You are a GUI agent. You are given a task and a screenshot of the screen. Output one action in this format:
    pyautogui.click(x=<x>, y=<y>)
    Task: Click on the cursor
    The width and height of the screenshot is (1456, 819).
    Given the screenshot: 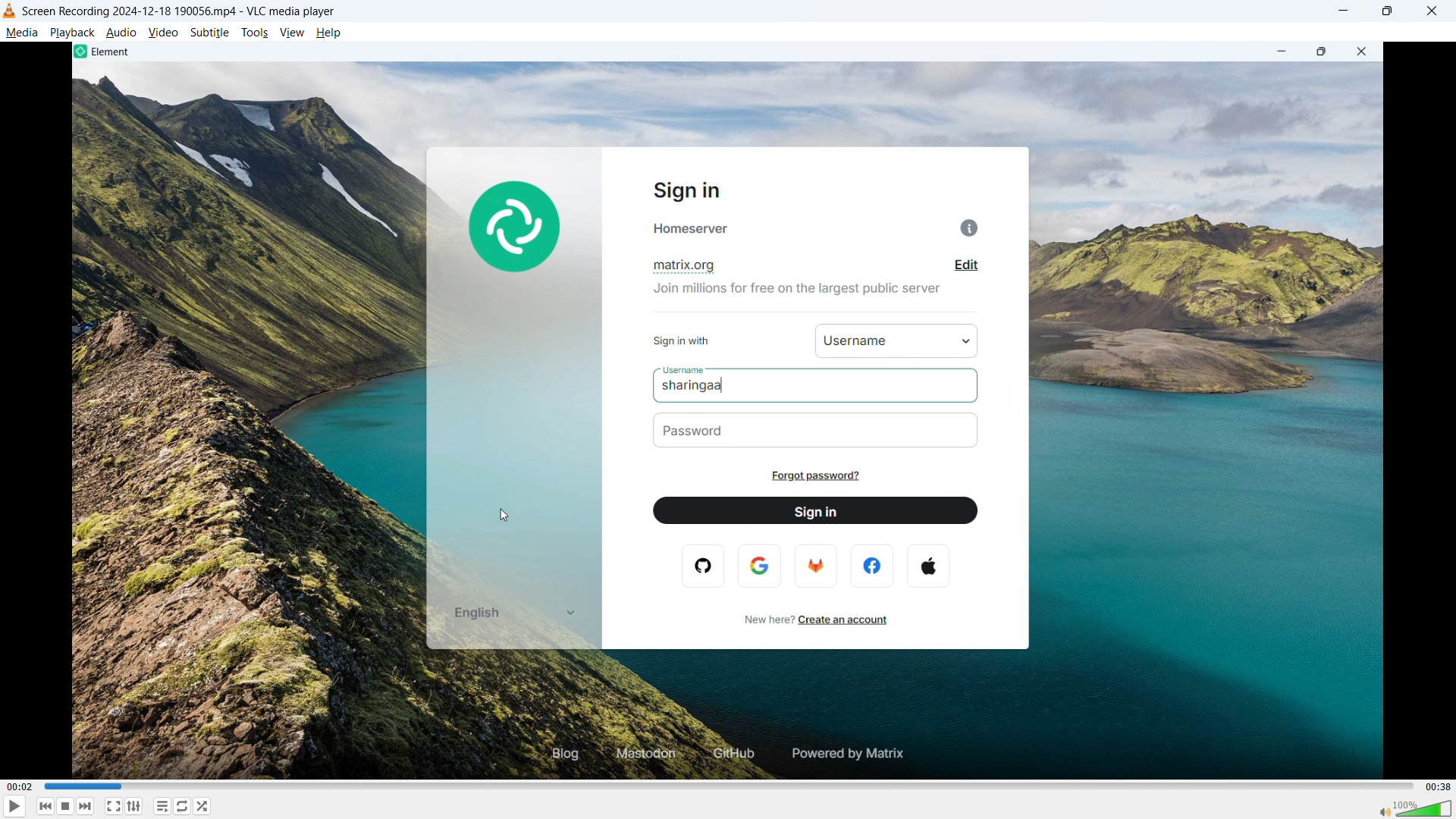 What is the action you would take?
    pyautogui.click(x=505, y=516)
    